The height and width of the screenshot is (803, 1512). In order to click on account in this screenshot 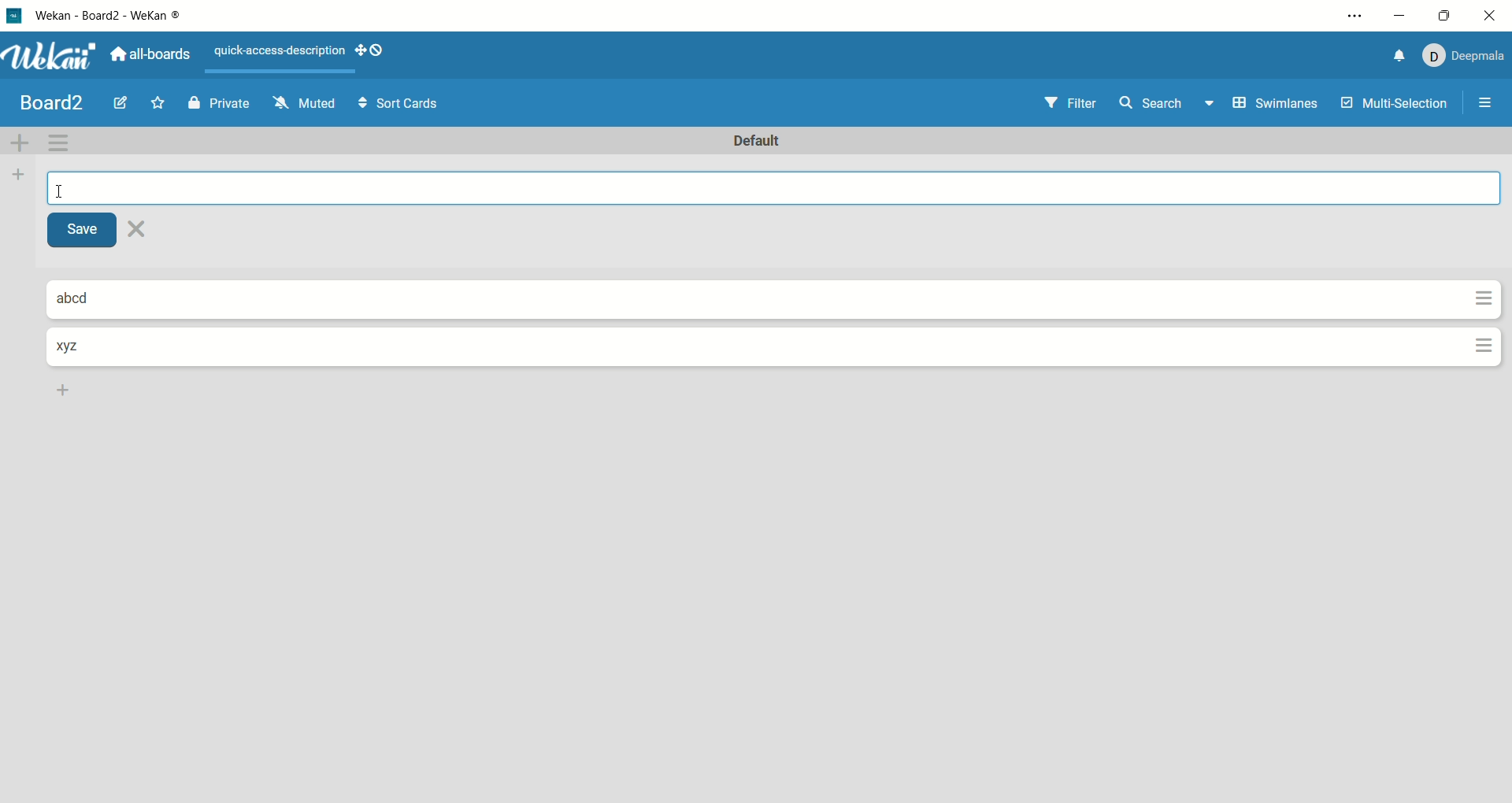, I will do `click(1462, 54)`.